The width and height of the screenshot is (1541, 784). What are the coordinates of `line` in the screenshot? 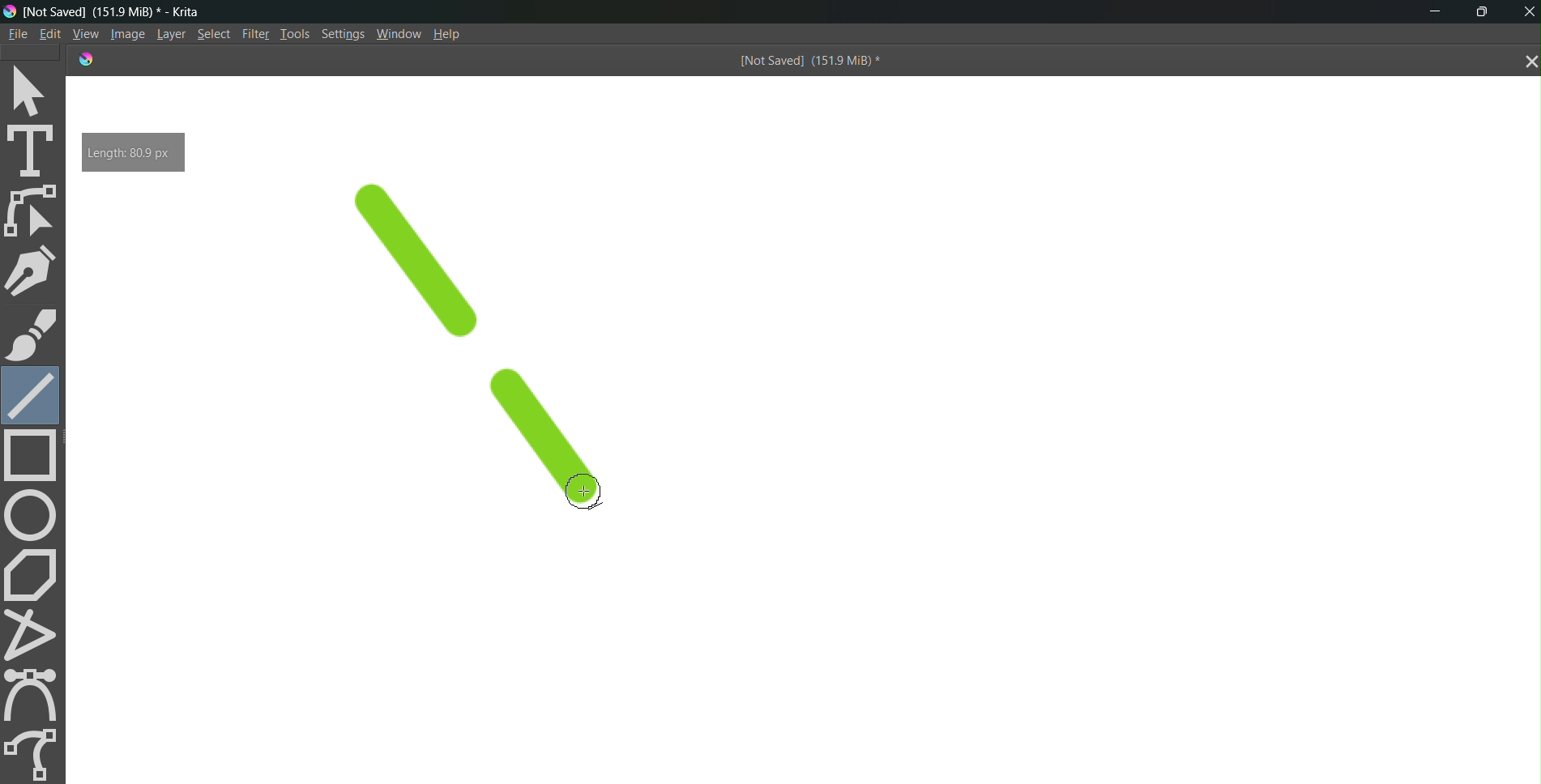 It's located at (428, 249).